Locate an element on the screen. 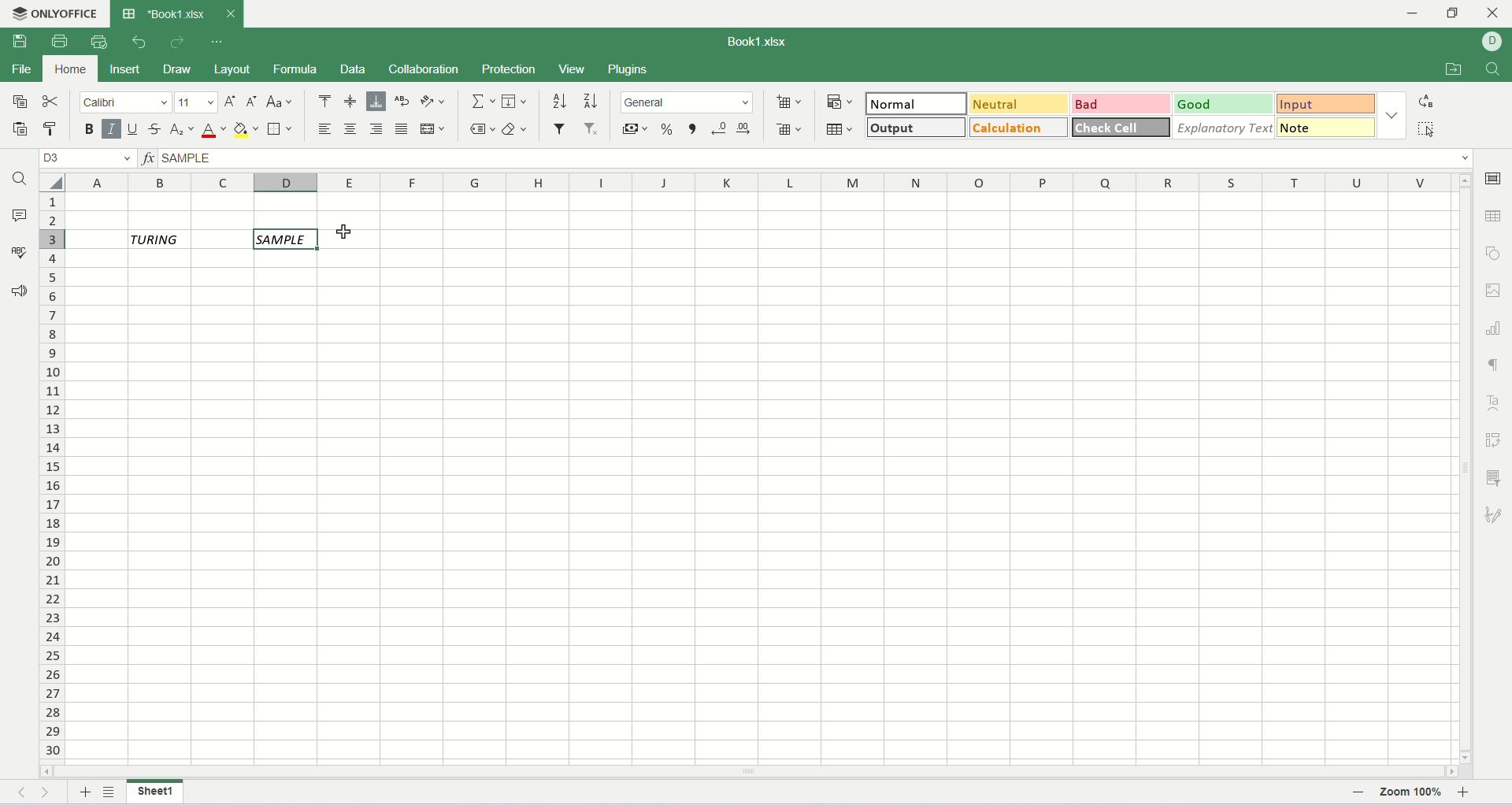 The height and width of the screenshot is (805, 1512). sheet tab is located at coordinates (165, 13).